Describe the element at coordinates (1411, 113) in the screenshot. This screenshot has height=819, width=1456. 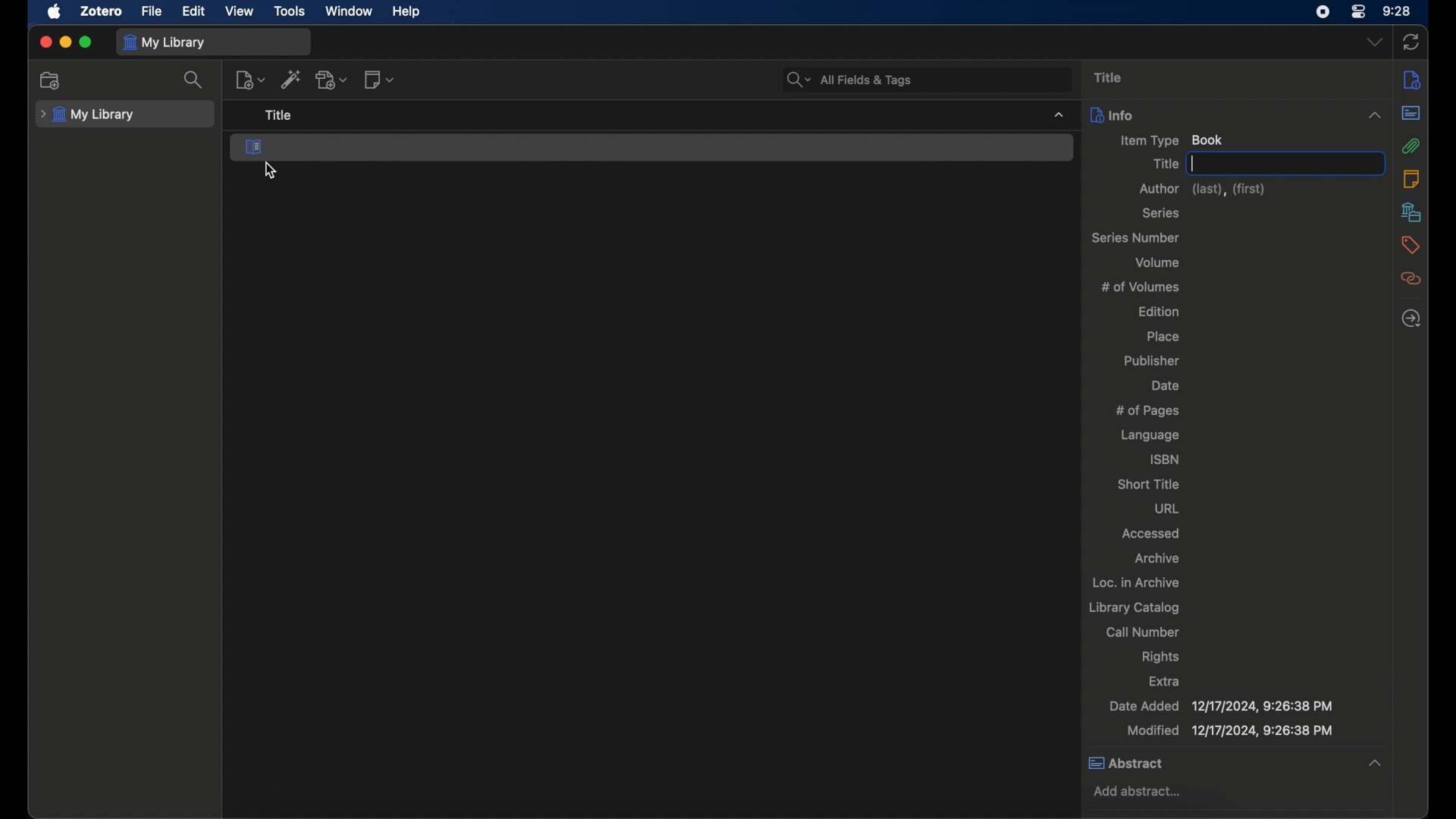
I see `abstract` at that location.